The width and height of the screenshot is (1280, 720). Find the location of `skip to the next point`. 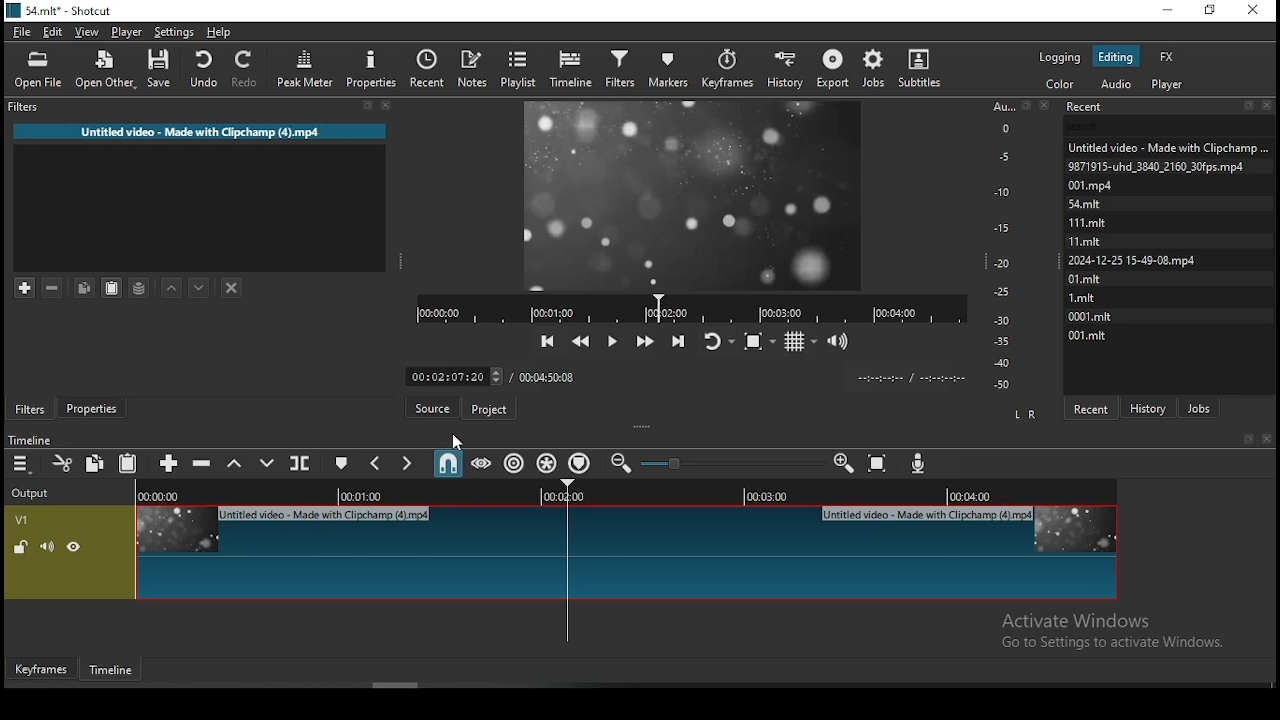

skip to the next point is located at coordinates (681, 342).